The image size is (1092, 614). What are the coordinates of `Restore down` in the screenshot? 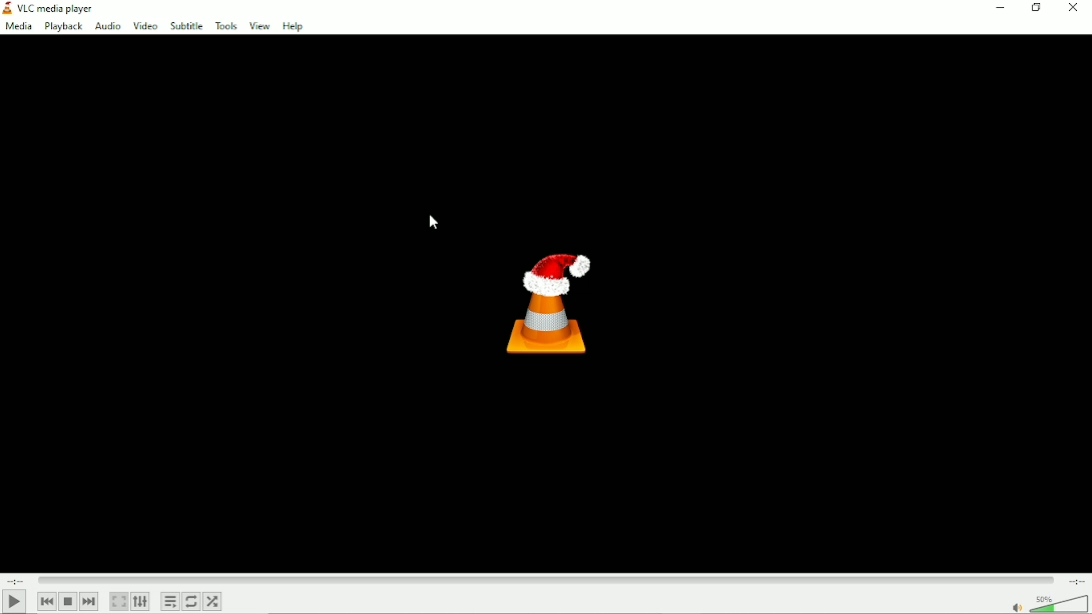 It's located at (1036, 8).